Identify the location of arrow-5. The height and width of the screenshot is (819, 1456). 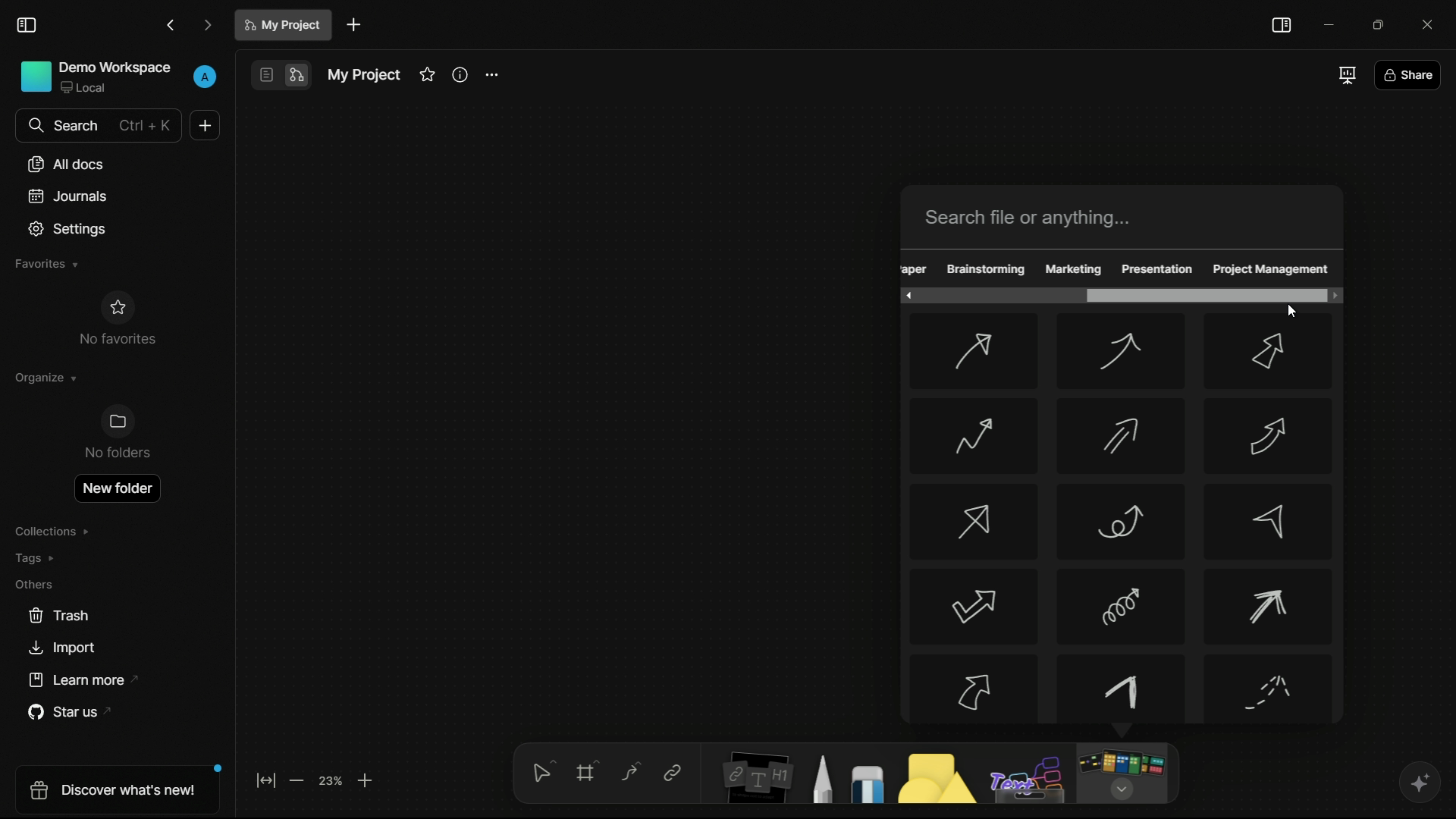
(1119, 437).